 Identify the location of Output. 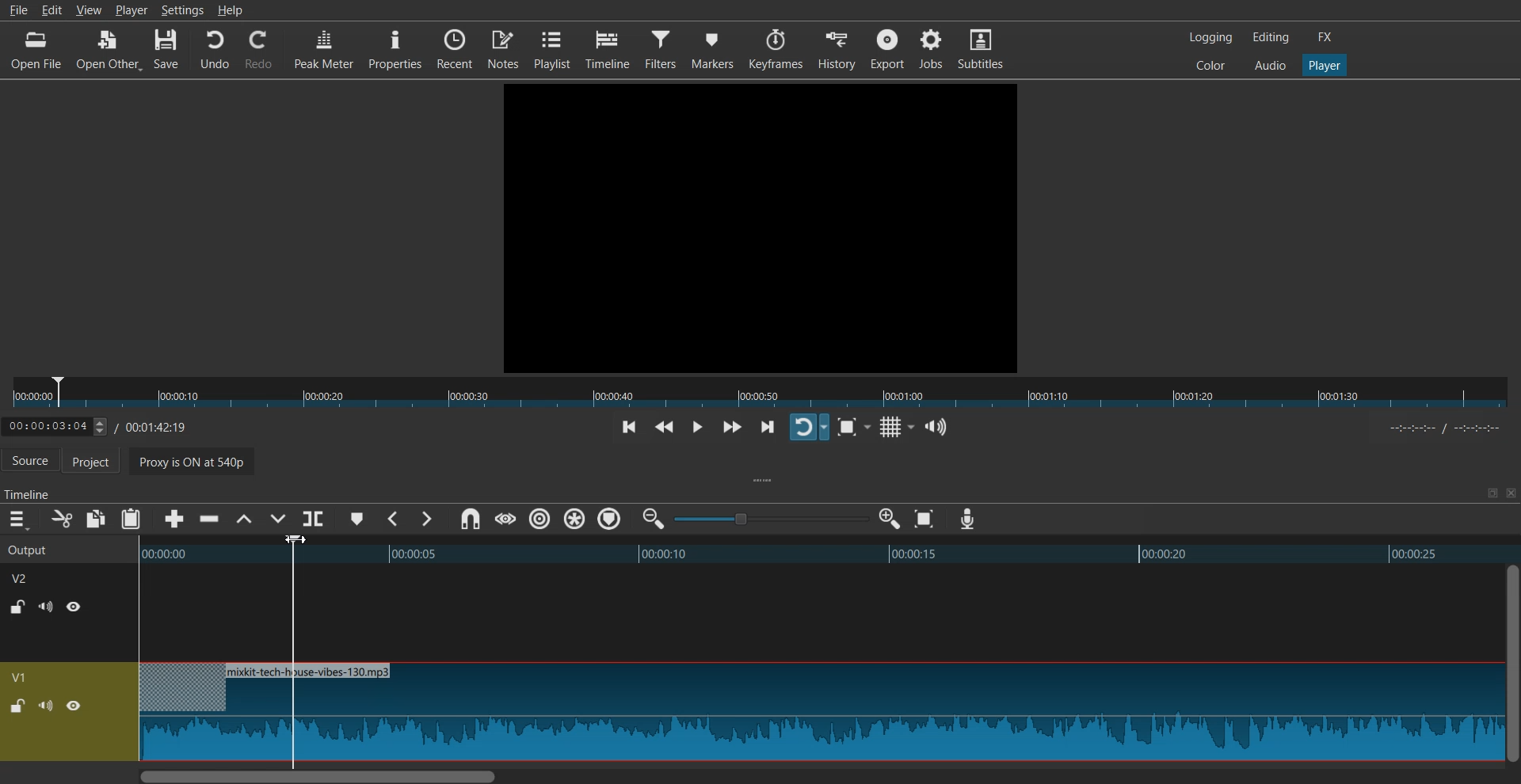
(67, 548).